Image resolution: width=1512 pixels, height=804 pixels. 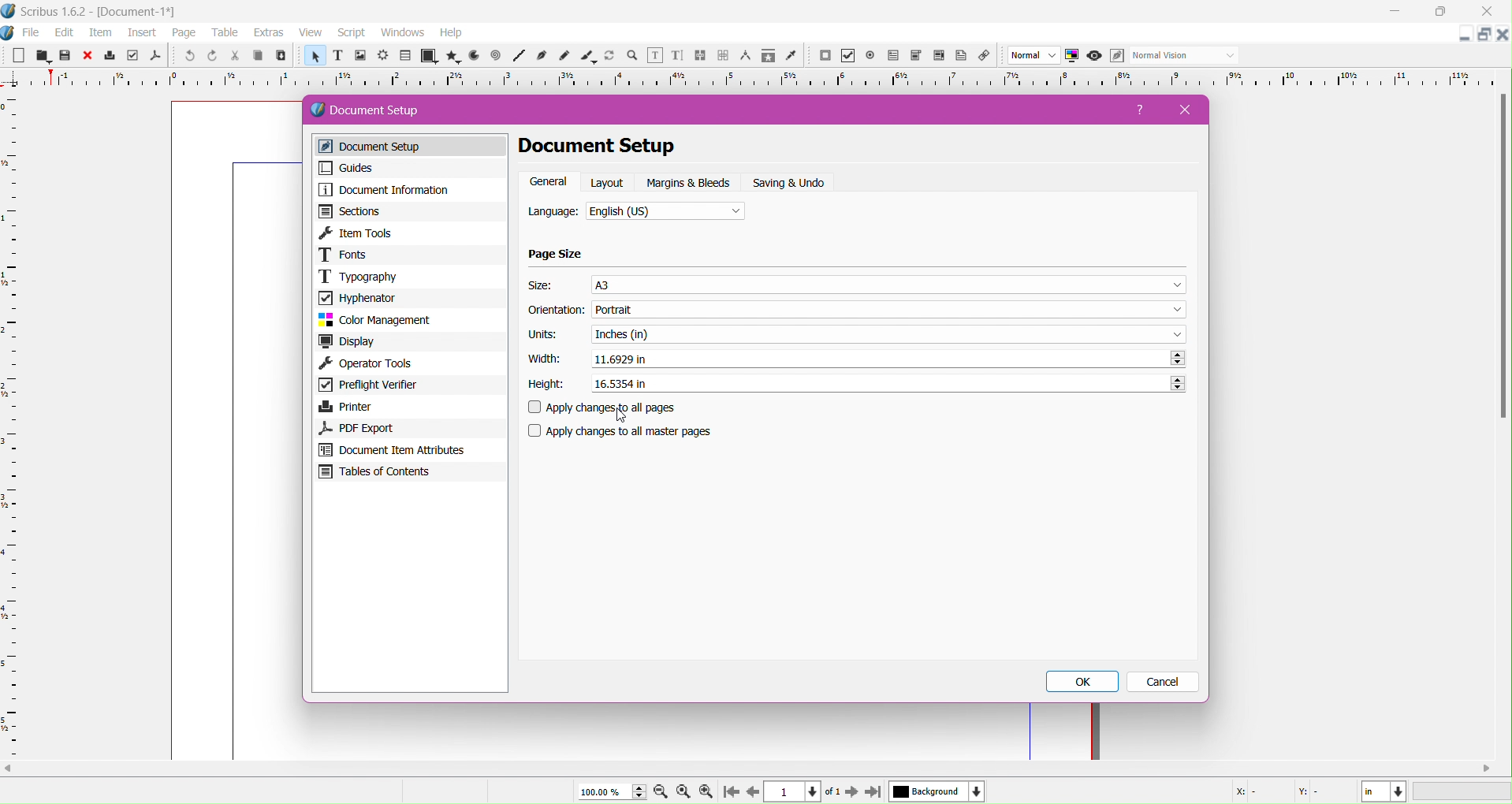 What do you see at coordinates (414, 147) in the screenshot?
I see `Document Setup` at bounding box center [414, 147].